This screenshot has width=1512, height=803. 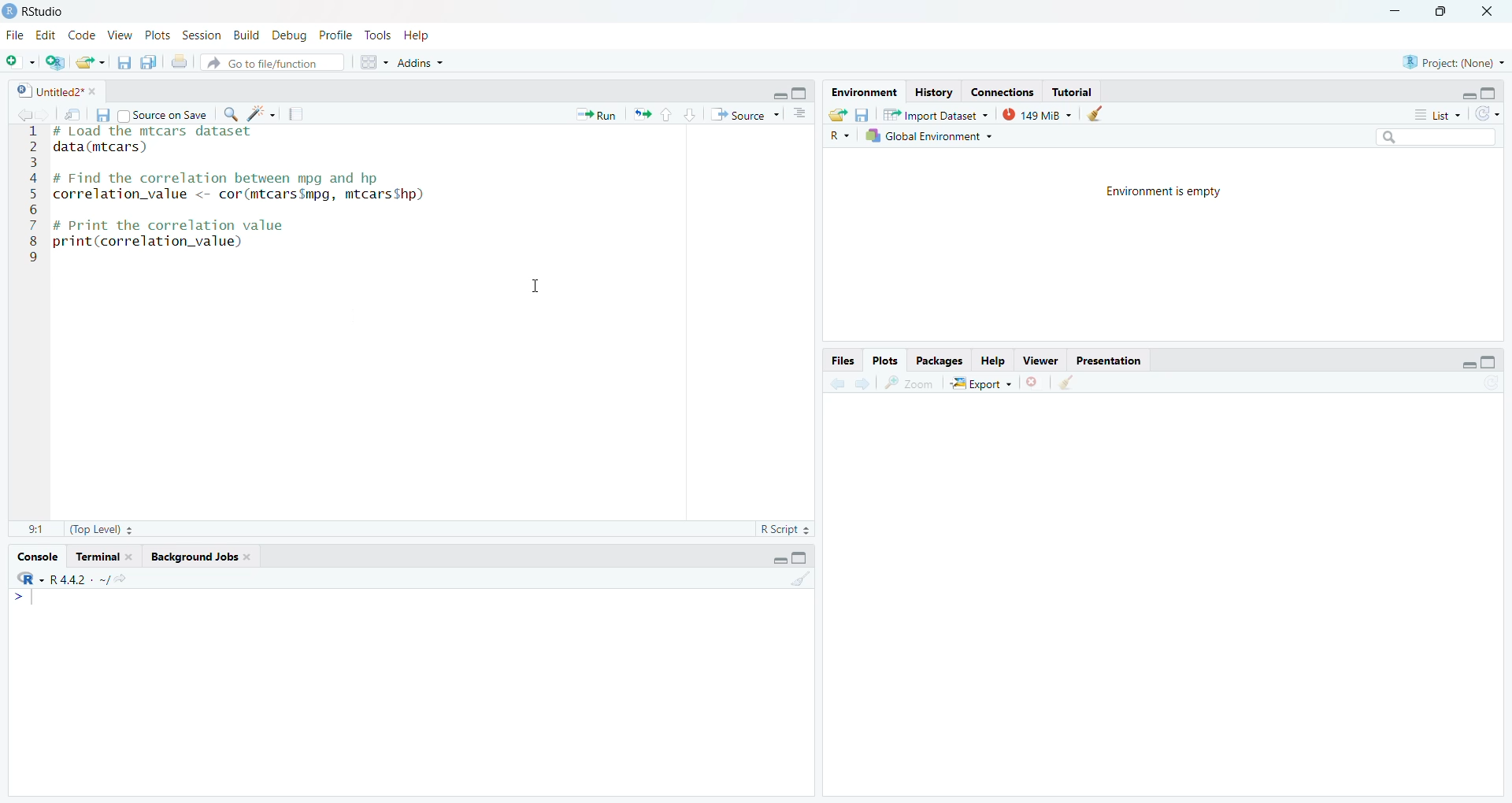 What do you see at coordinates (1073, 92) in the screenshot?
I see `Tutorial` at bounding box center [1073, 92].